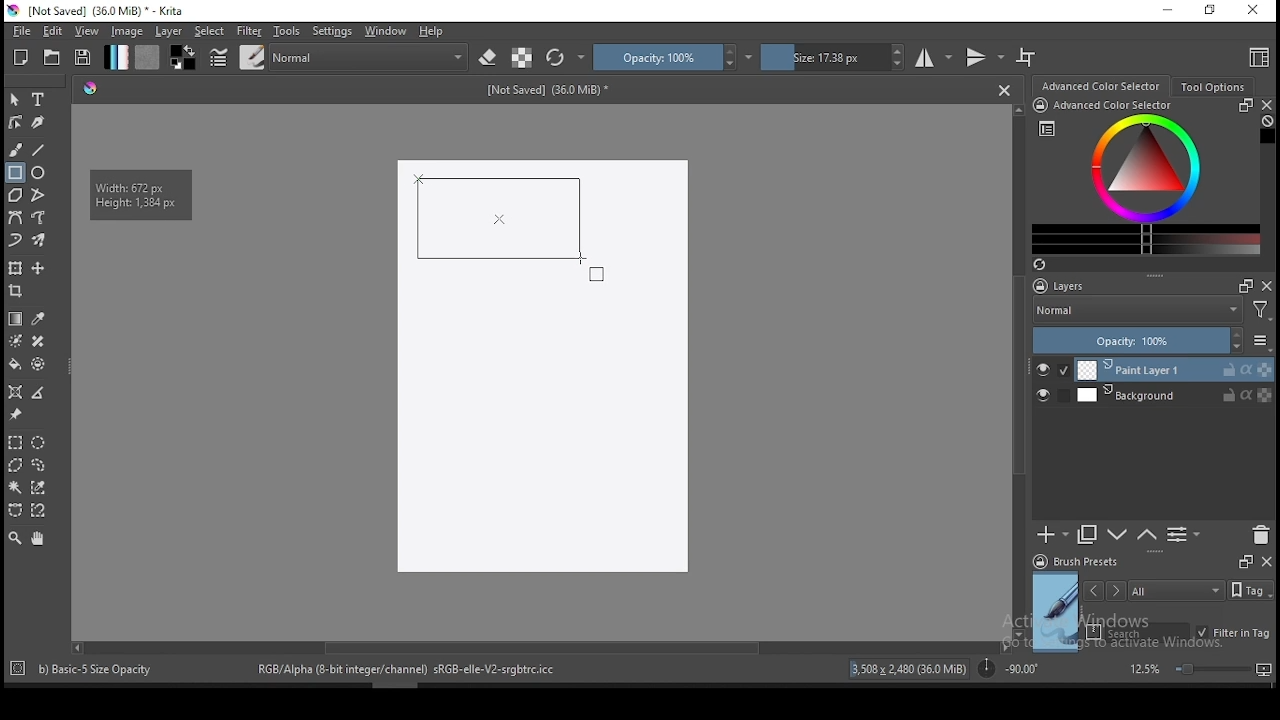 This screenshot has height=720, width=1280. I want to click on move a layer, so click(38, 269).